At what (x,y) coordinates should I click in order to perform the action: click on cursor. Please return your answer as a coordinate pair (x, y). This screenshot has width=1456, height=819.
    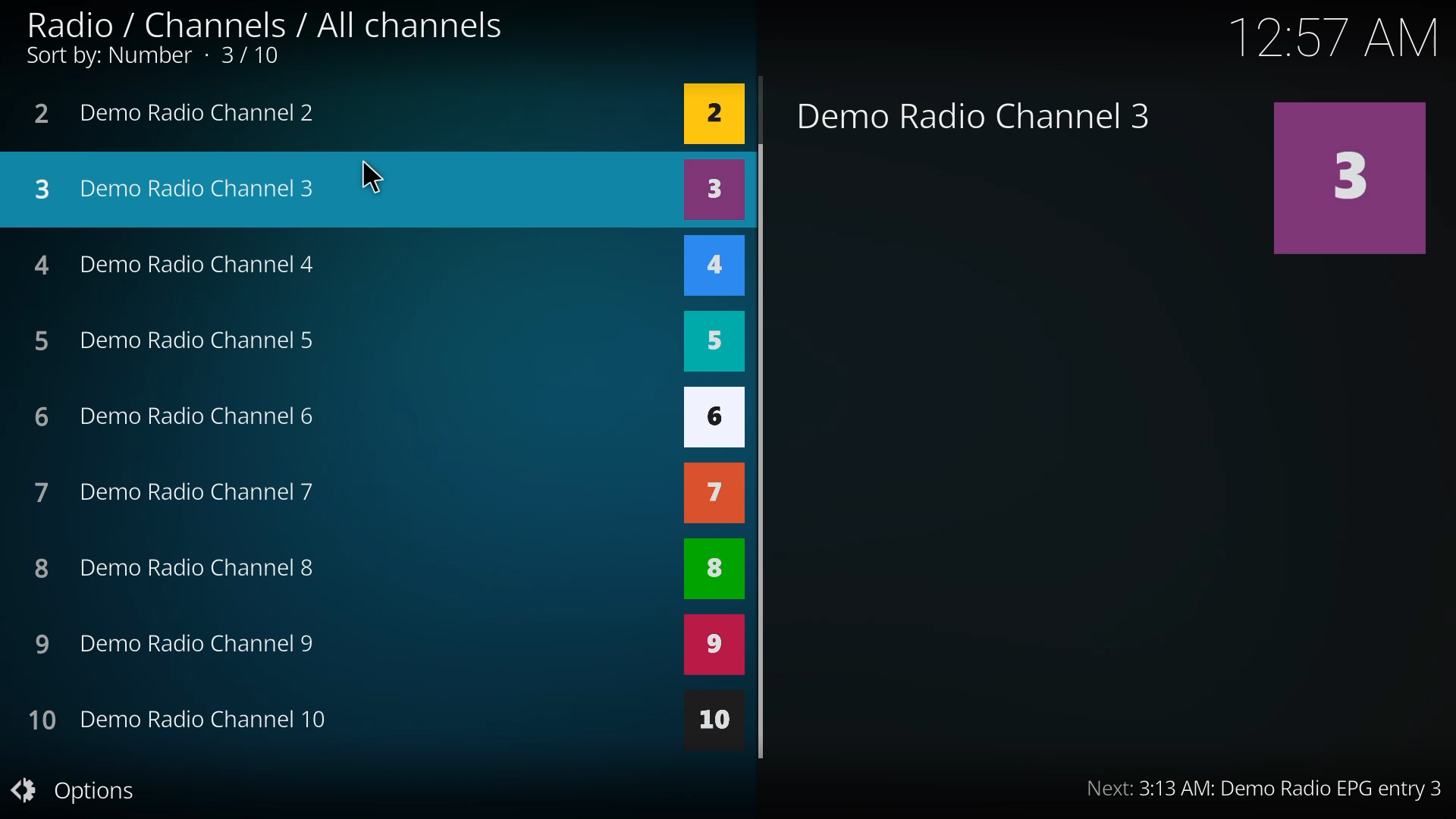
    Looking at the image, I should click on (379, 179).